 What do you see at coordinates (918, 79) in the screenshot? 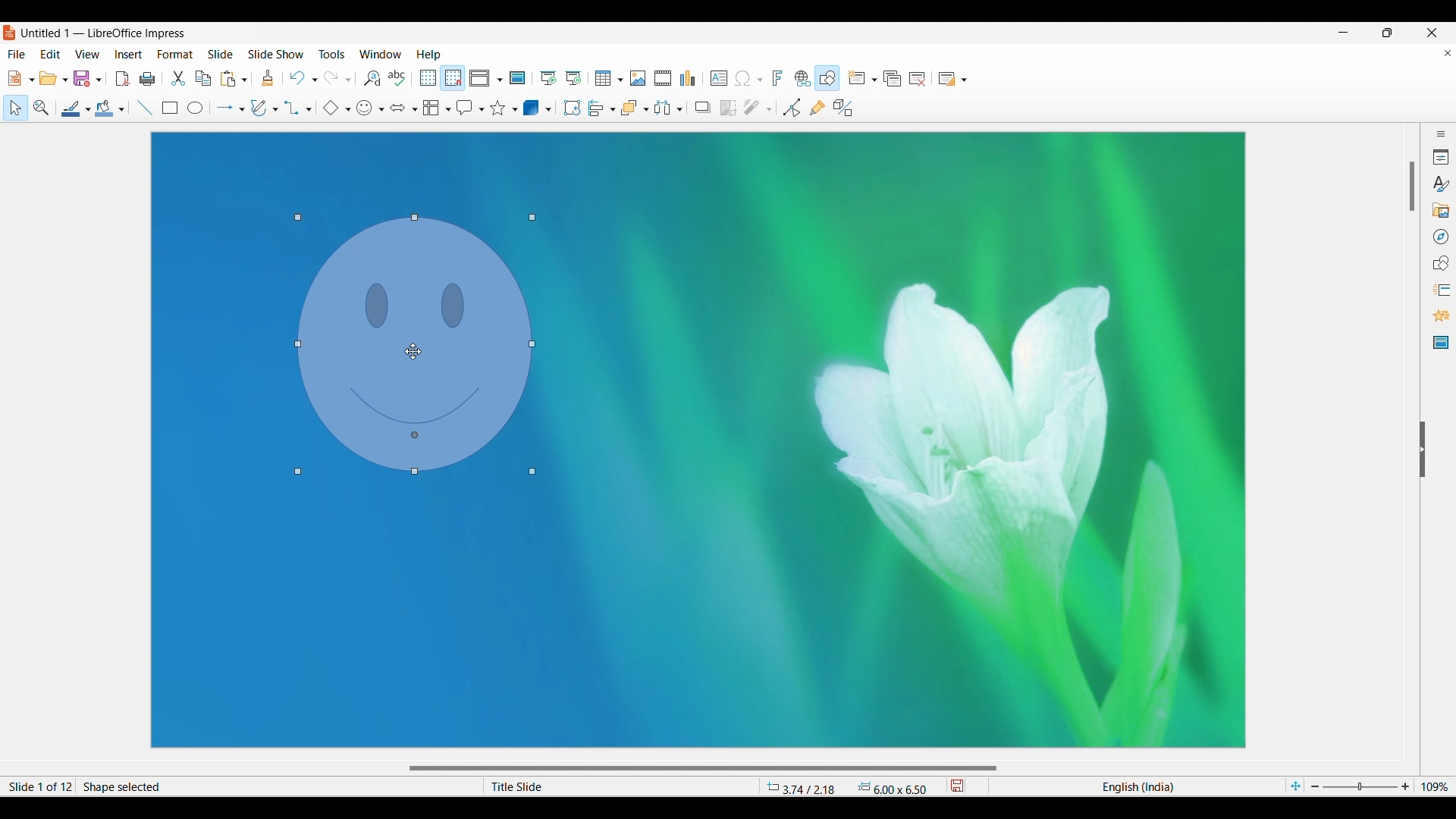
I see `Delete slide` at bounding box center [918, 79].